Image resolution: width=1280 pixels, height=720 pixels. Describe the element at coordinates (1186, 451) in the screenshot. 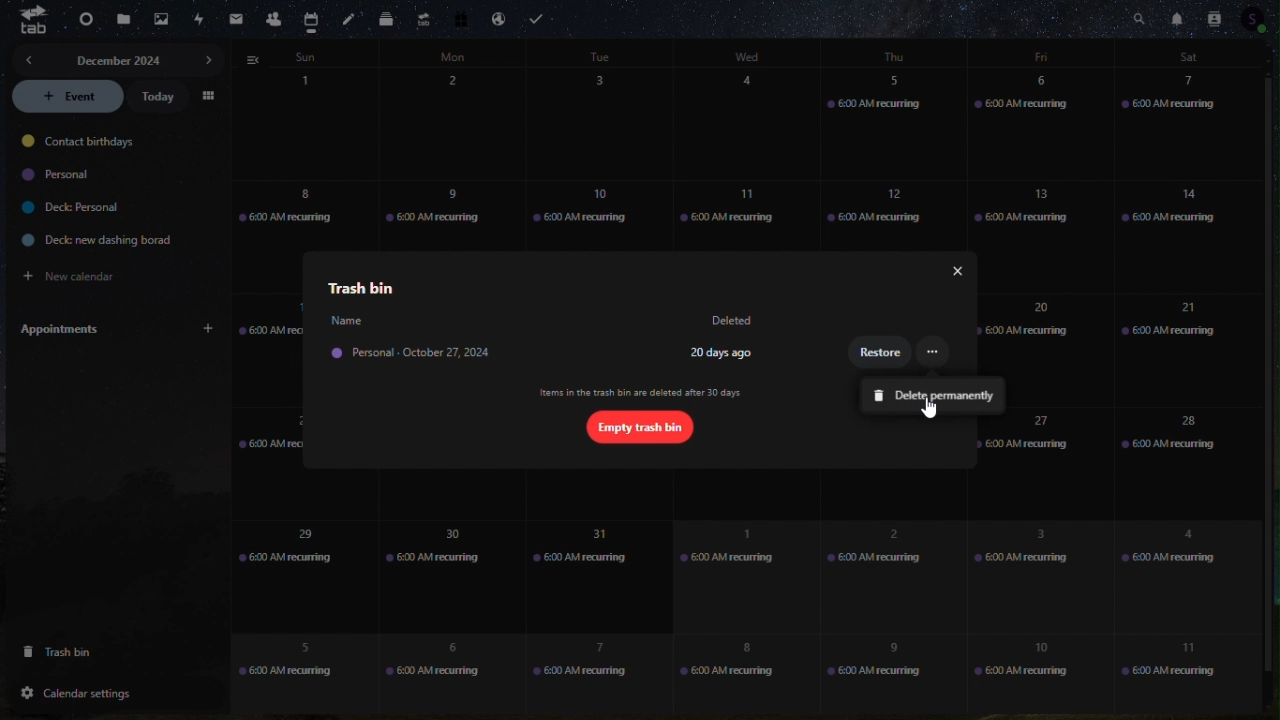

I see `28` at that location.